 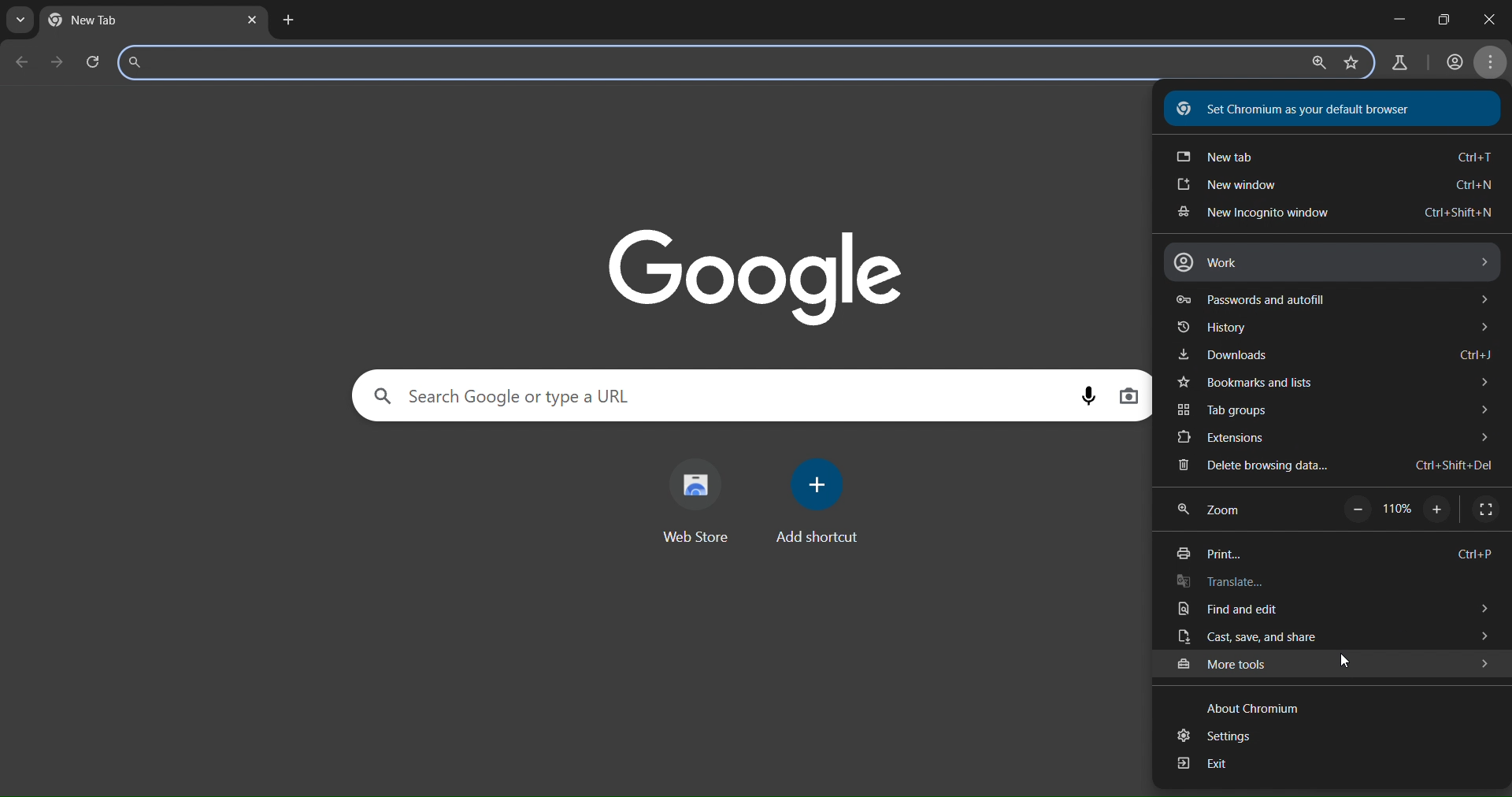 I want to click on image, so click(x=759, y=274).